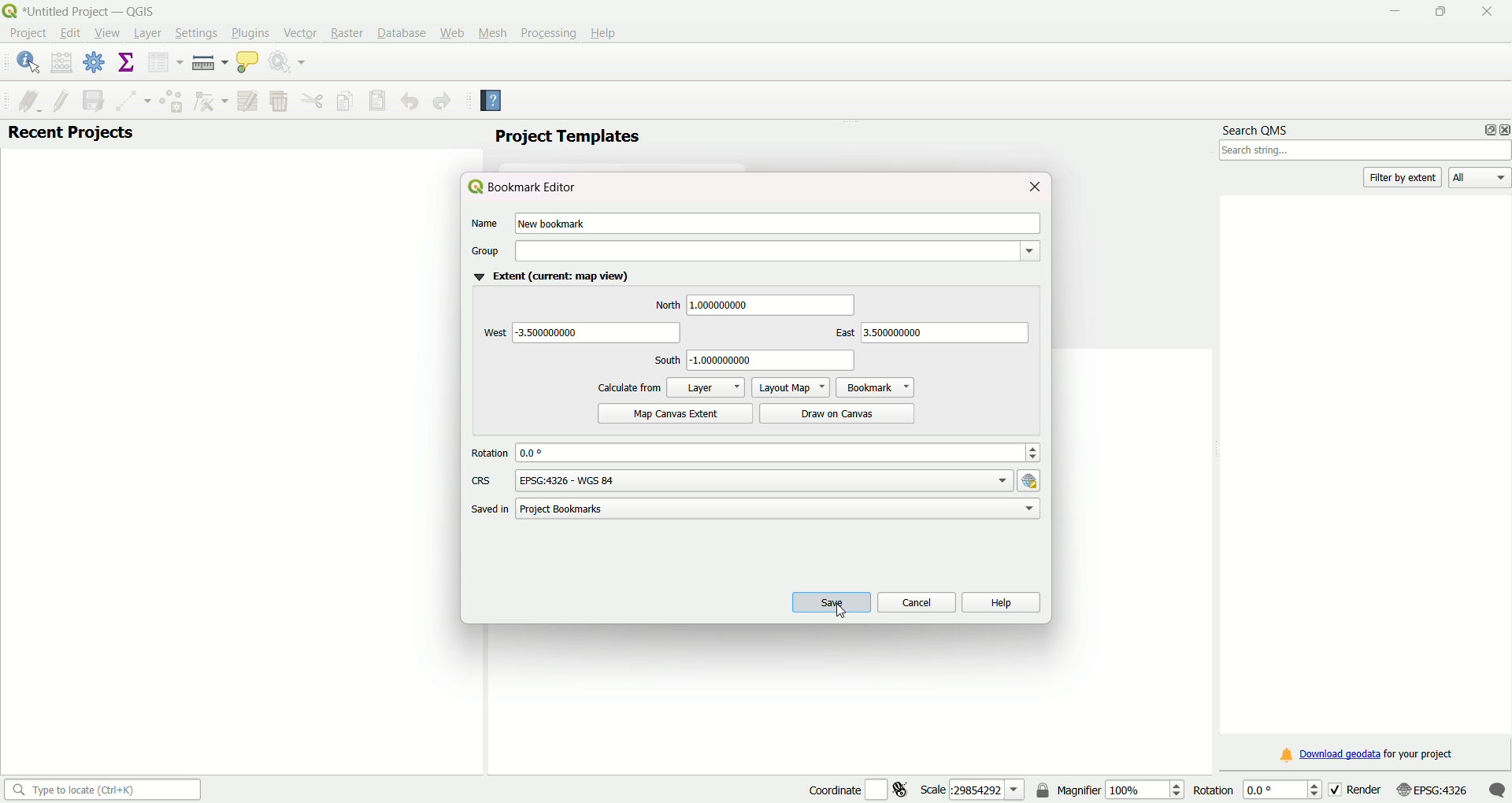 This screenshot has height=803, width=1512. What do you see at coordinates (452, 31) in the screenshot?
I see `Web` at bounding box center [452, 31].